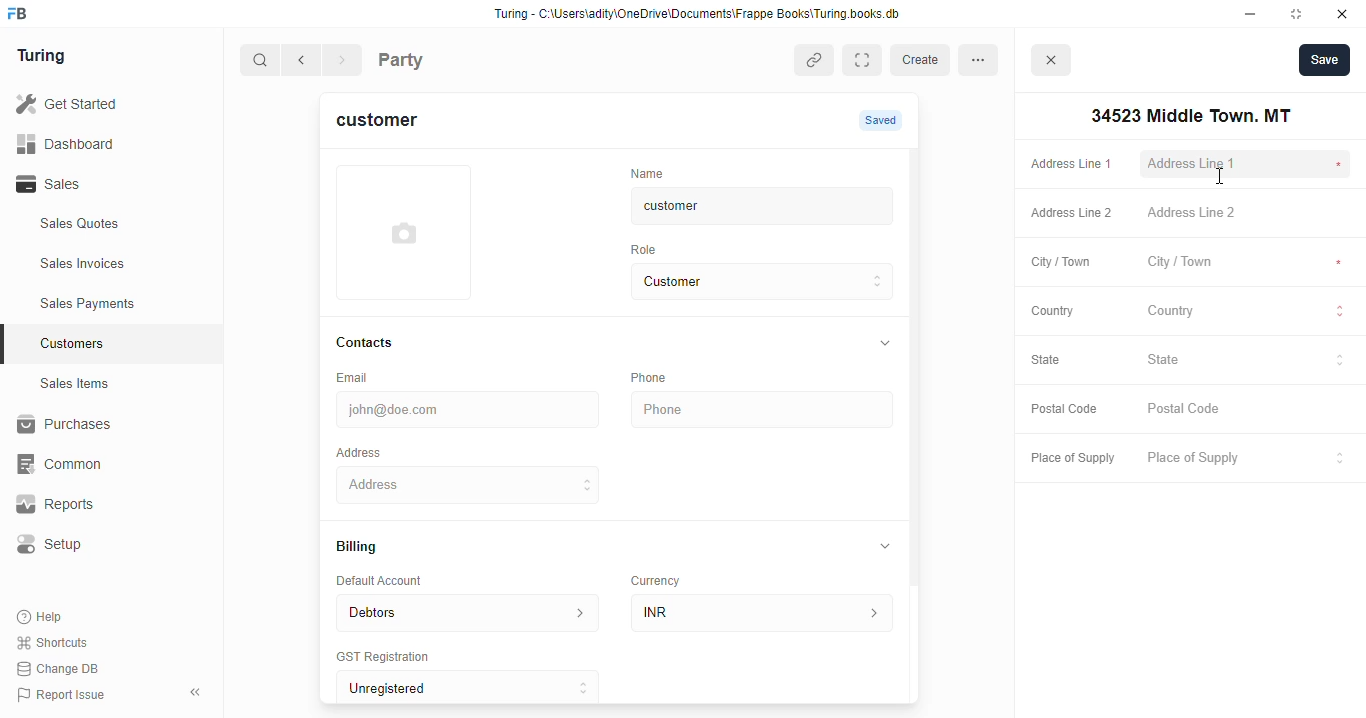 This screenshot has height=718, width=1366. I want to click on ‘Common, so click(100, 464).